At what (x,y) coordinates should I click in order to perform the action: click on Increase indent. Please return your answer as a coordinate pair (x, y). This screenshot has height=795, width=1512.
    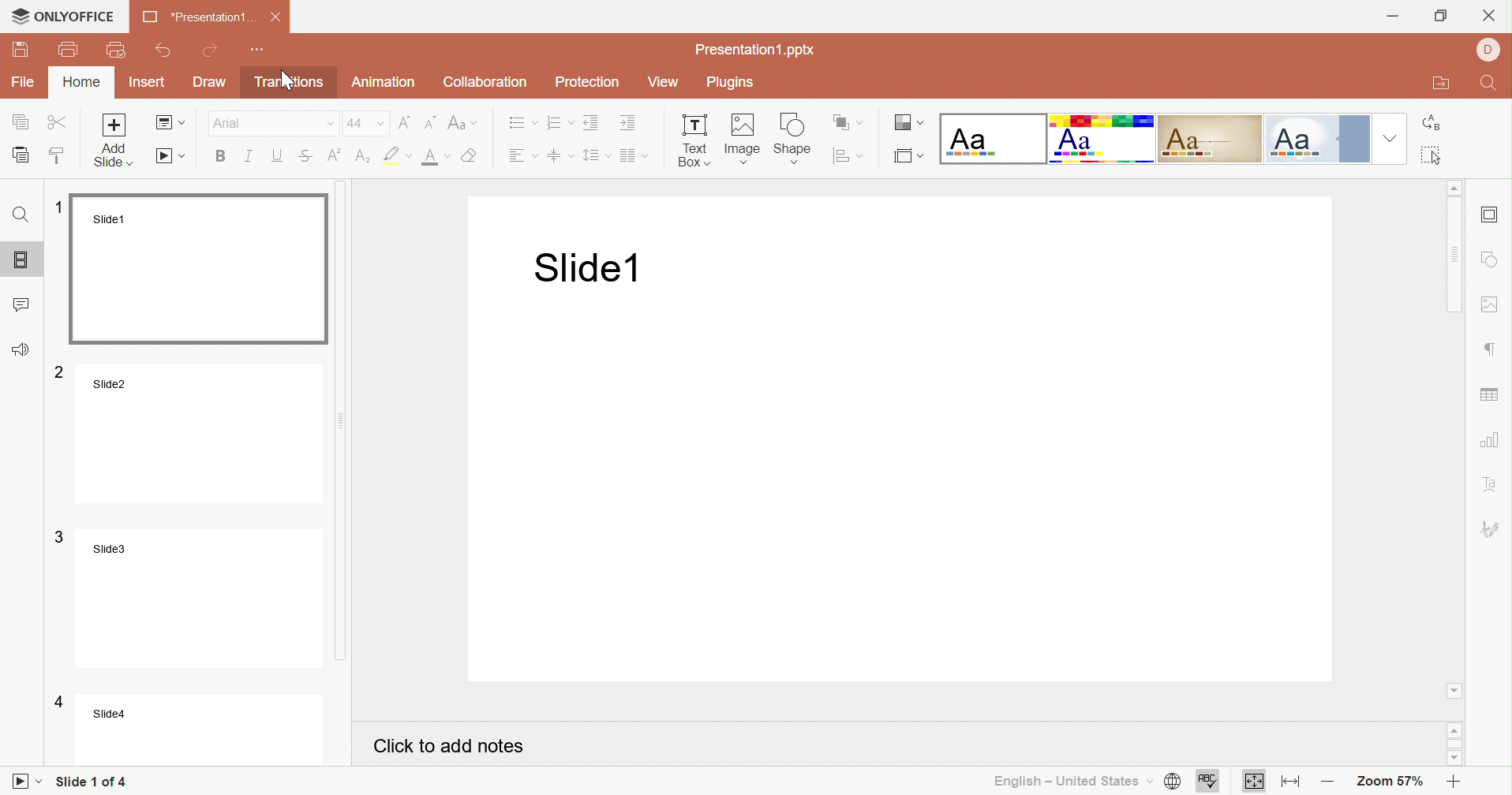
    Looking at the image, I should click on (631, 122).